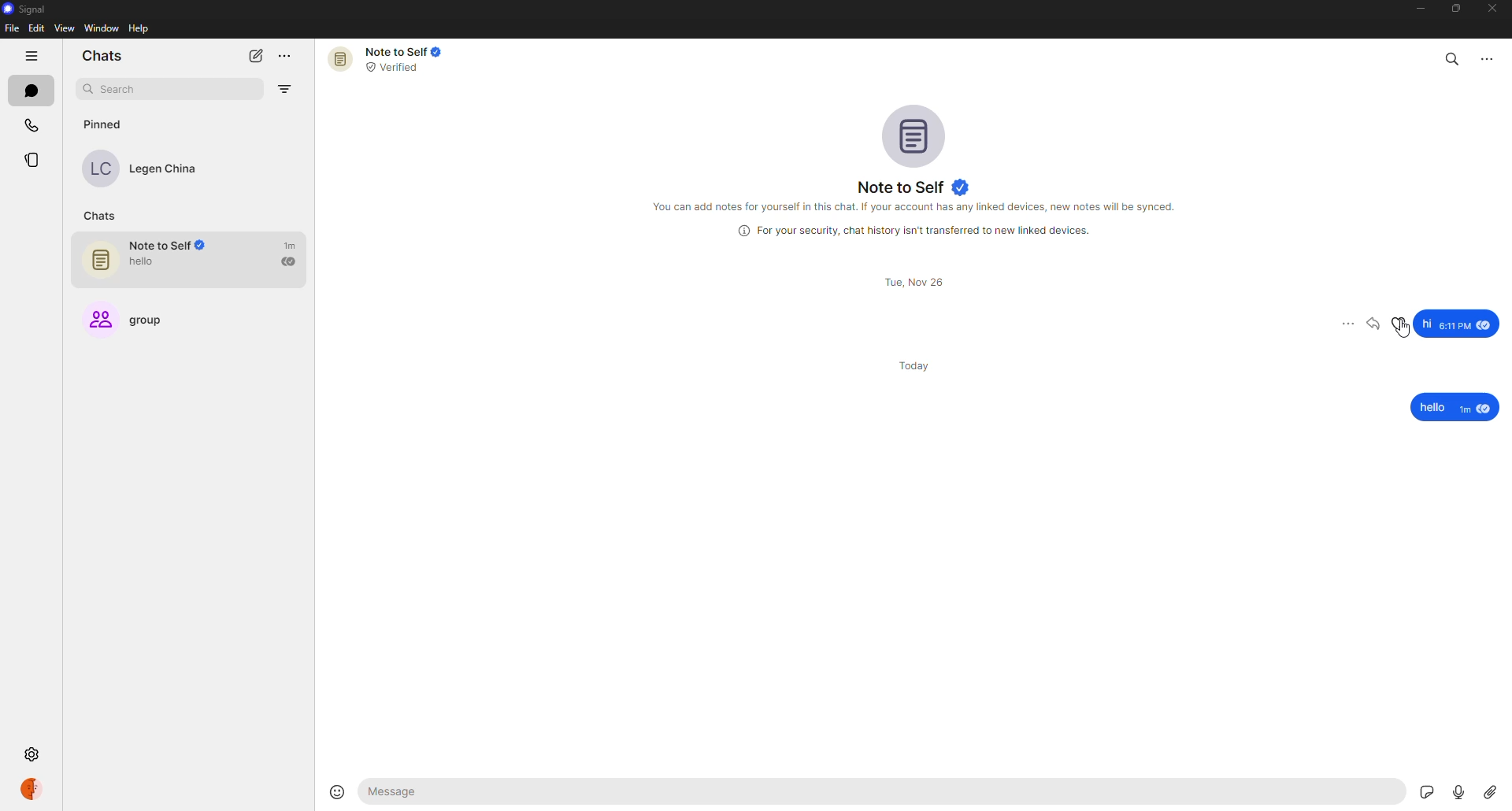 This screenshot has width=1512, height=811. Describe the element at coordinates (31, 124) in the screenshot. I see `calls` at that location.